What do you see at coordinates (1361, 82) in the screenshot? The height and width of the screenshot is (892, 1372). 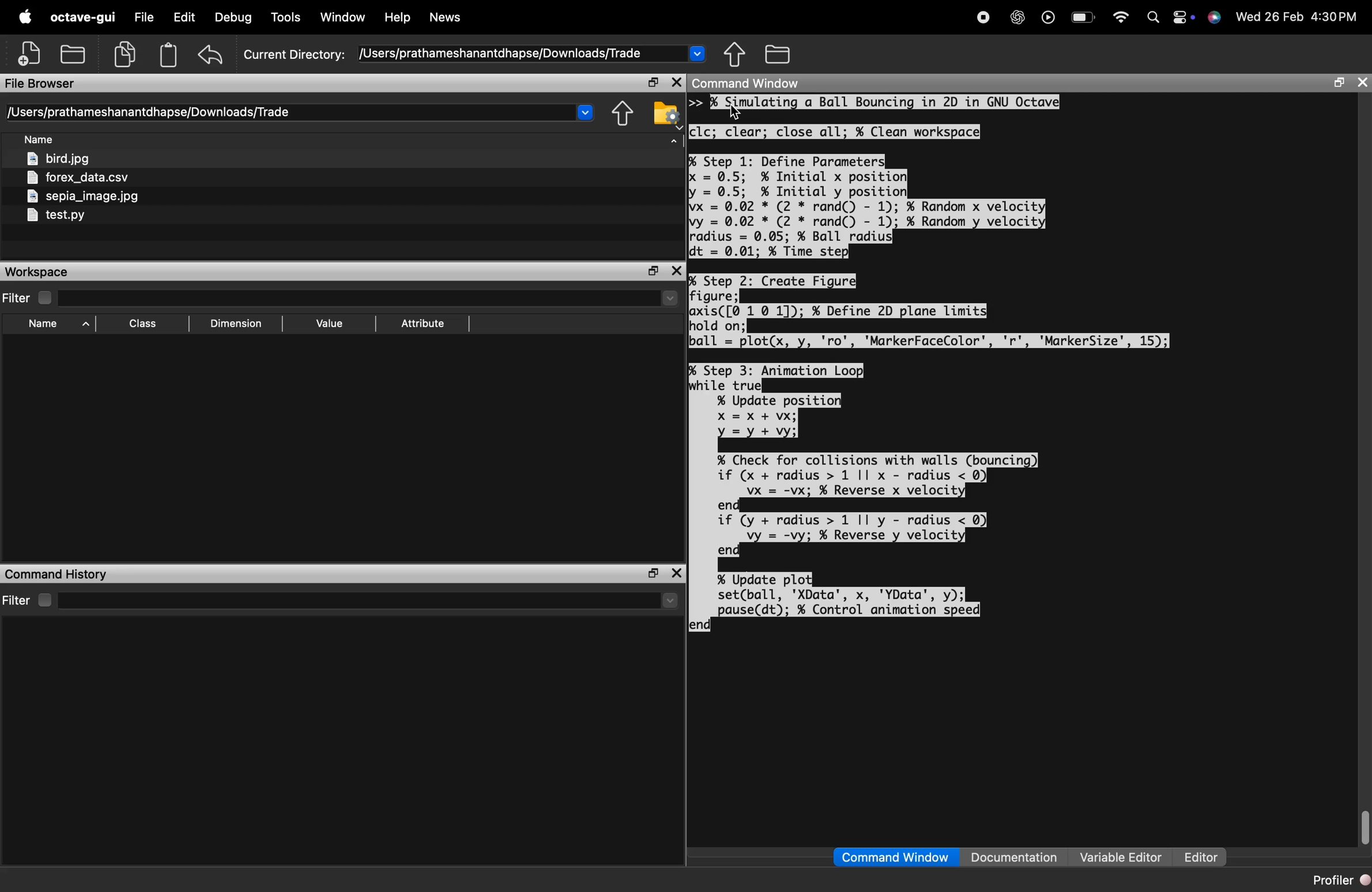 I see `close` at bounding box center [1361, 82].